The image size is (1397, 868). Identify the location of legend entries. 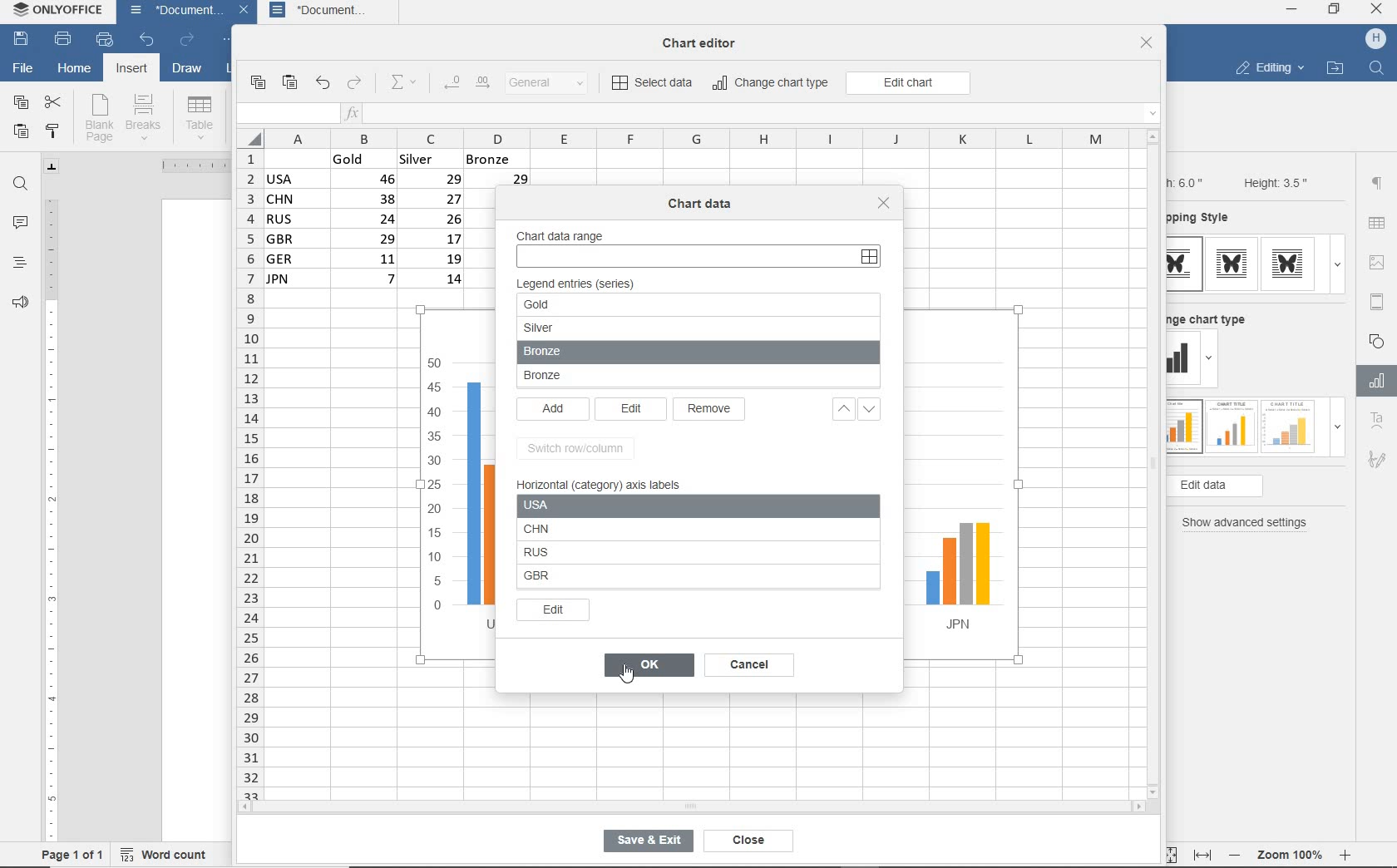
(582, 284).